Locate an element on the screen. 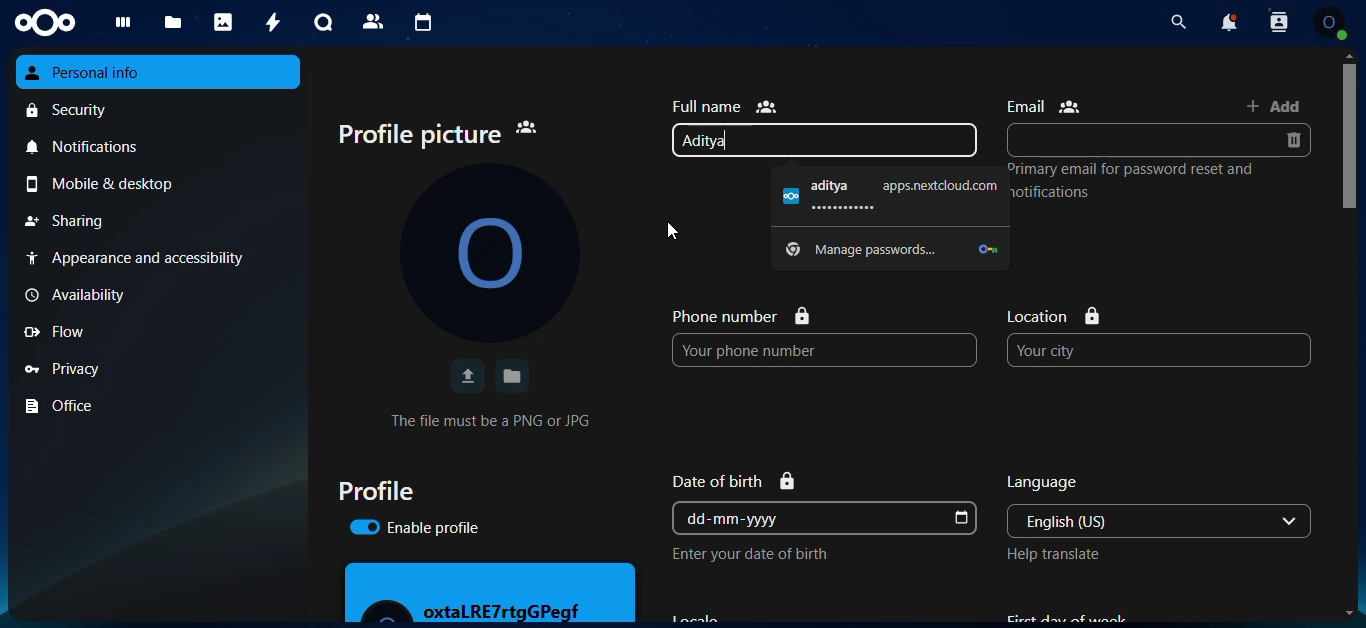 This screenshot has height=628, width=1366. photos is located at coordinates (221, 22).